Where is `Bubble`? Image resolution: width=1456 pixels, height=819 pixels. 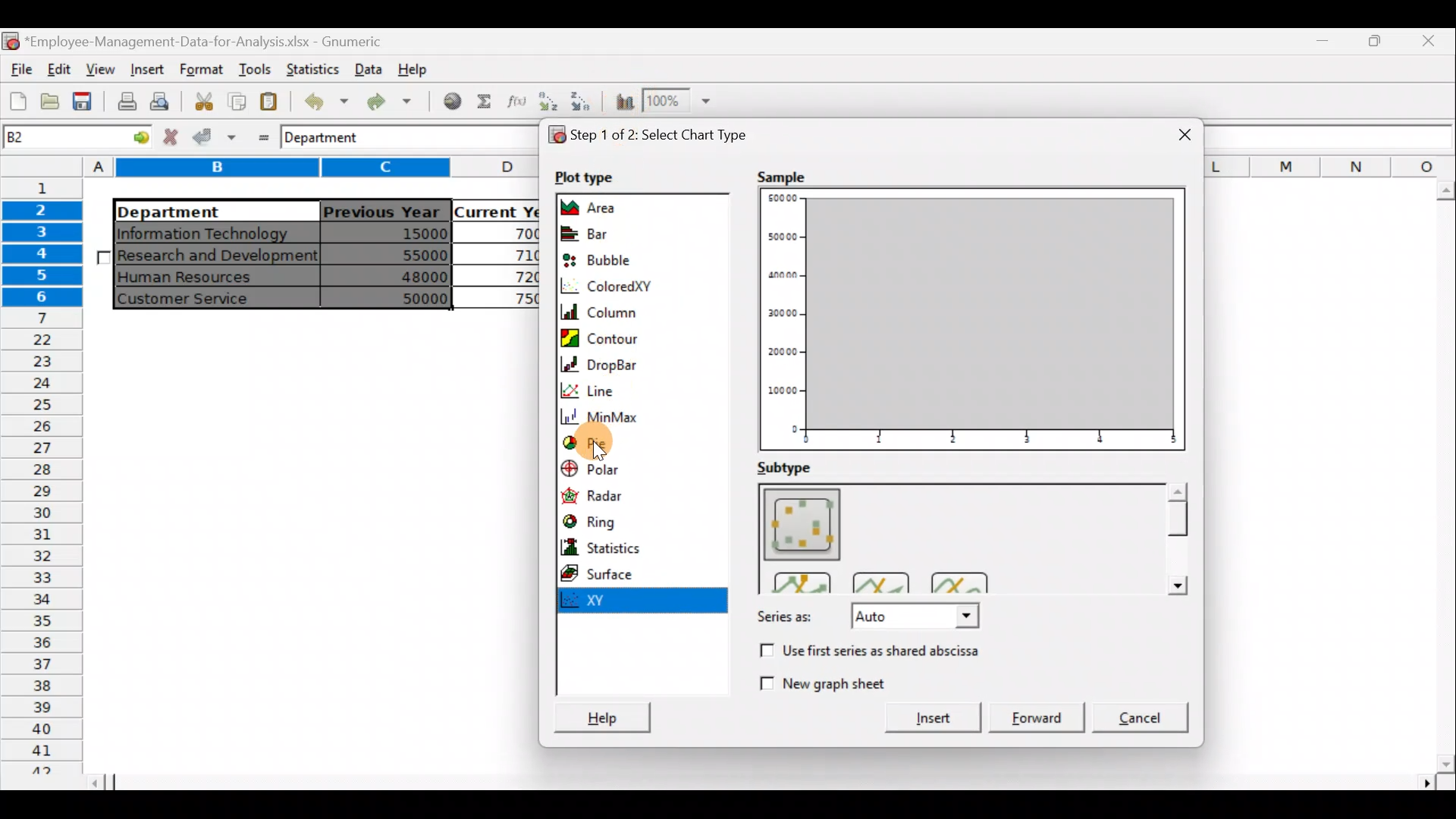 Bubble is located at coordinates (613, 257).